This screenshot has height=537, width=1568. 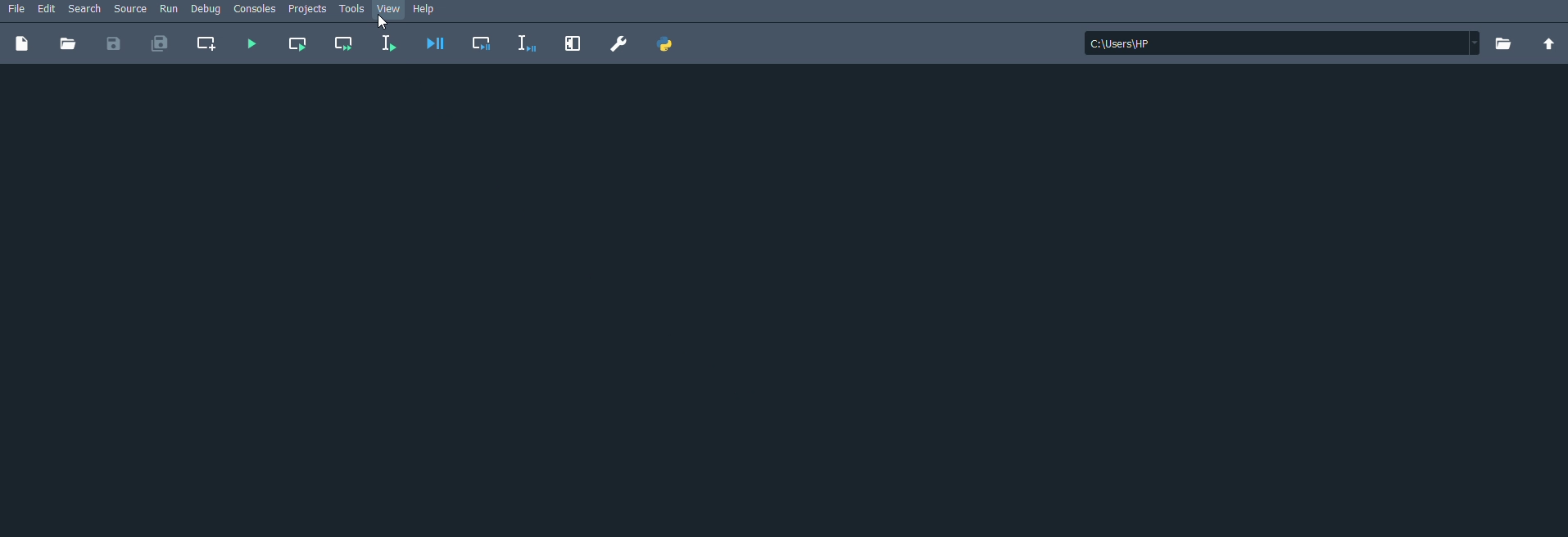 What do you see at coordinates (351, 10) in the screenshot?
I see `Tools` at bounding box center [351, 10].